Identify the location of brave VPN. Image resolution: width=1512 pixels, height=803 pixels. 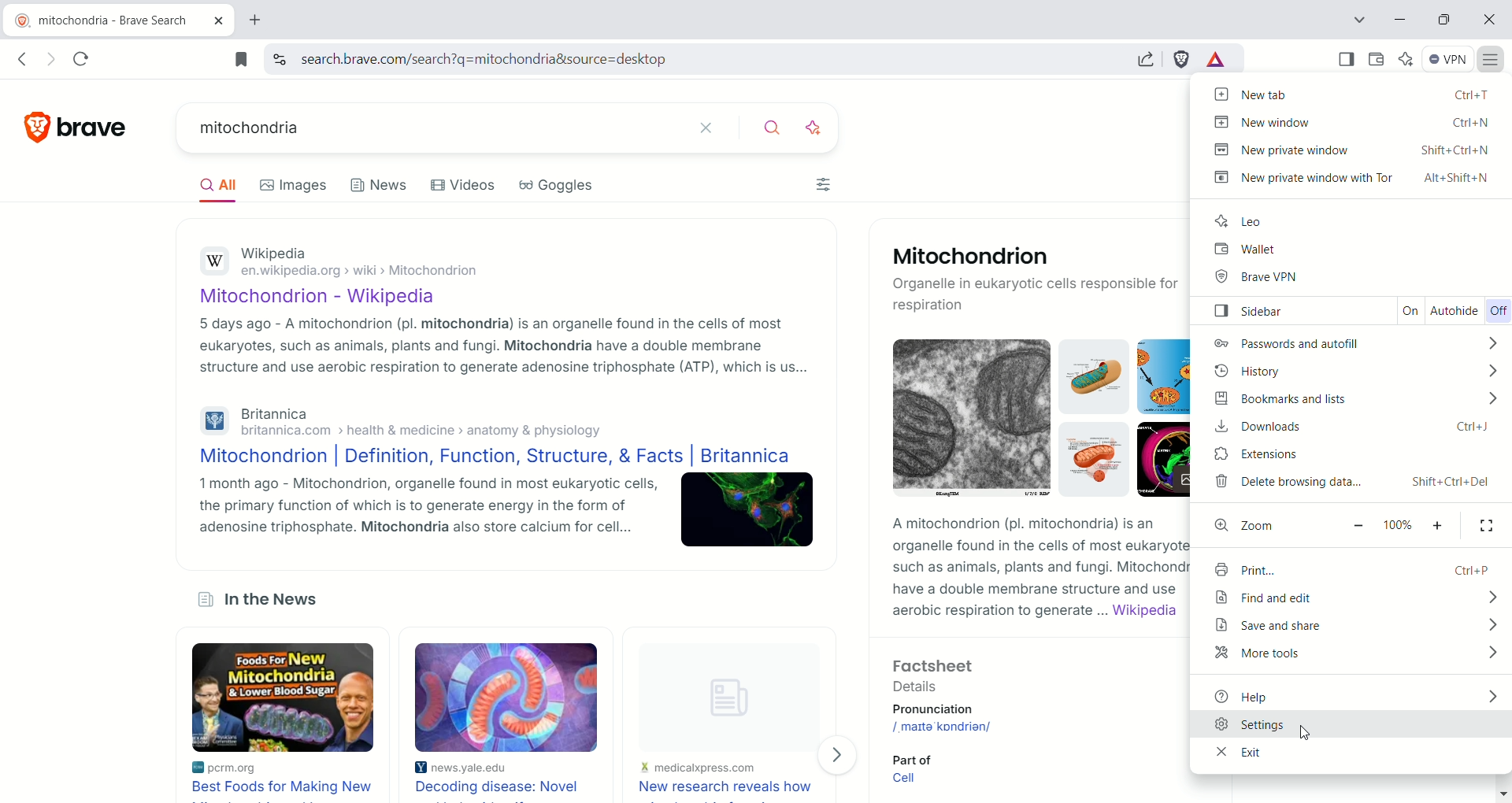
(1352, 278).